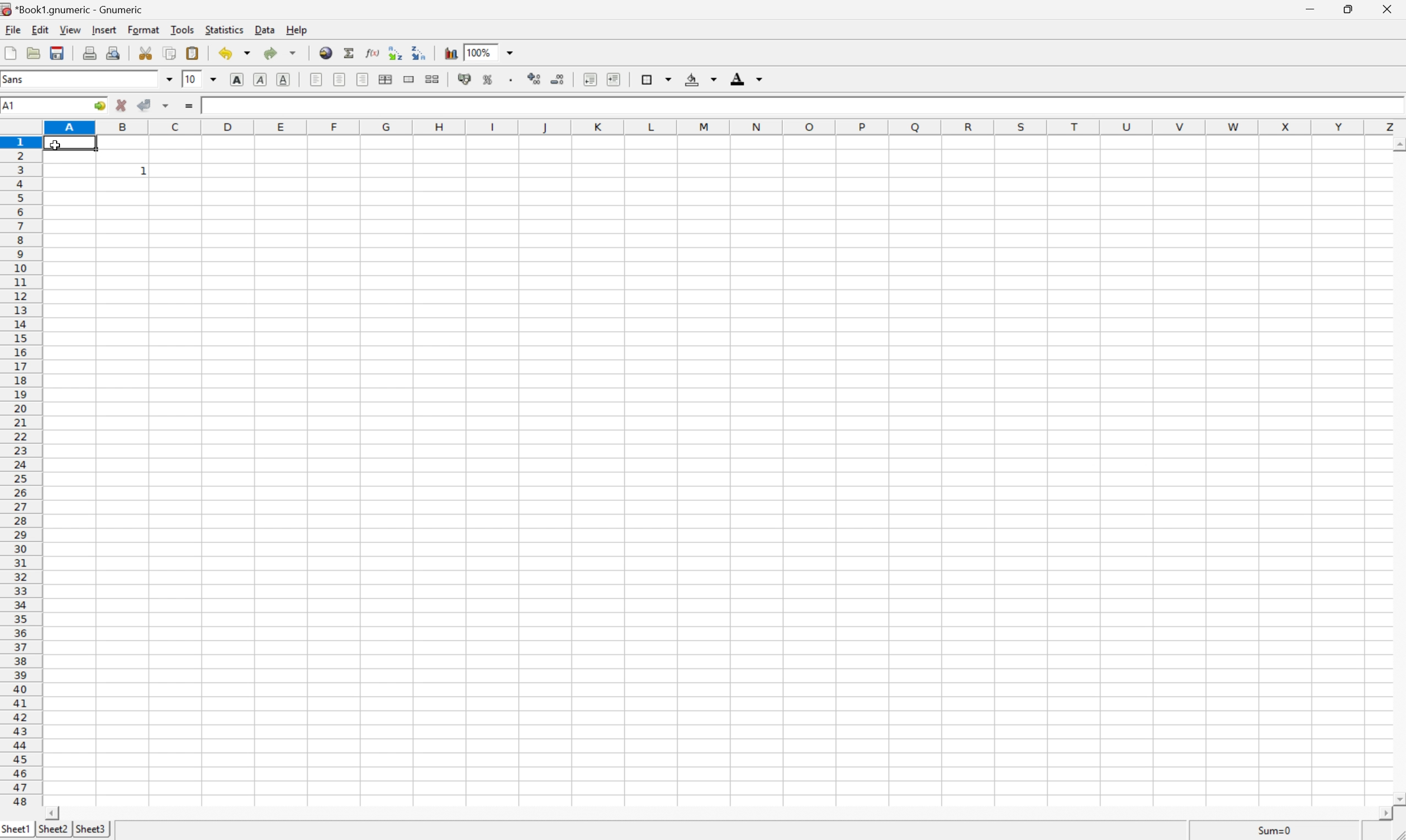 The width and height of the screenshot is (1406, 840). Describe the element at coordinates (490, 52) in the screenshot. I see `zoom` at that location.